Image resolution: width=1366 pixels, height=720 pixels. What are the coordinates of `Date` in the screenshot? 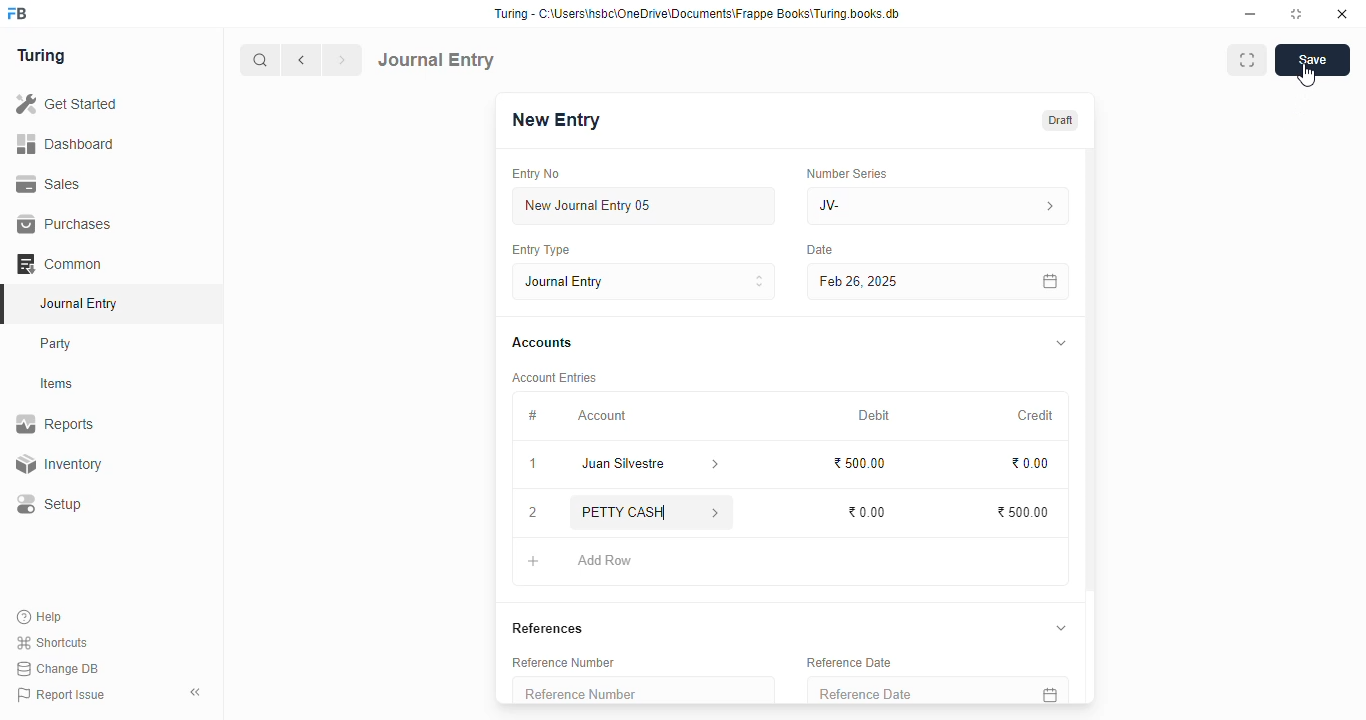 It's located at (821, 250).